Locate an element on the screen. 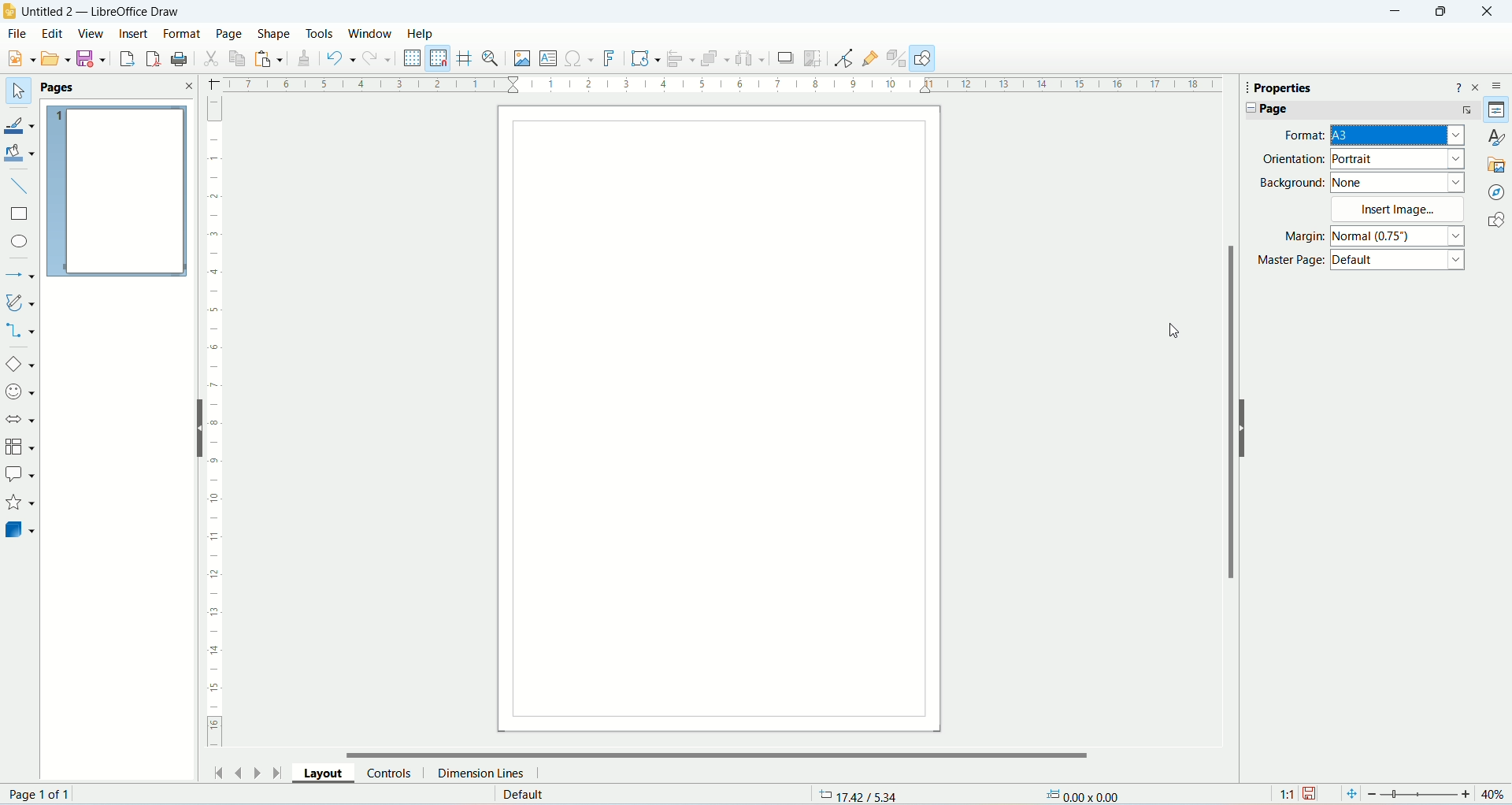 The width and height of the screenshot is (1512, 805). format is located at coordinates (183, 33).